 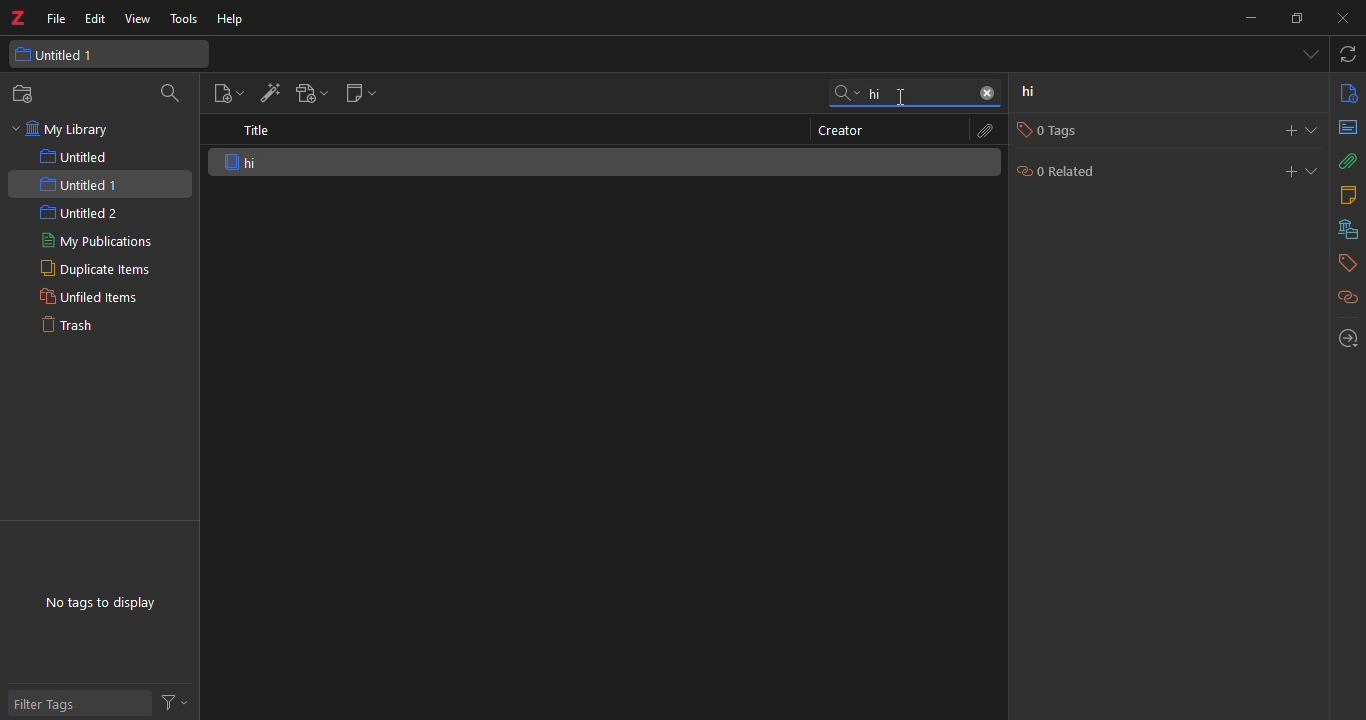 What do you see at coordinates (310, 96) in the screenshot?
I see `add attach` at bounding box center [310, 96].